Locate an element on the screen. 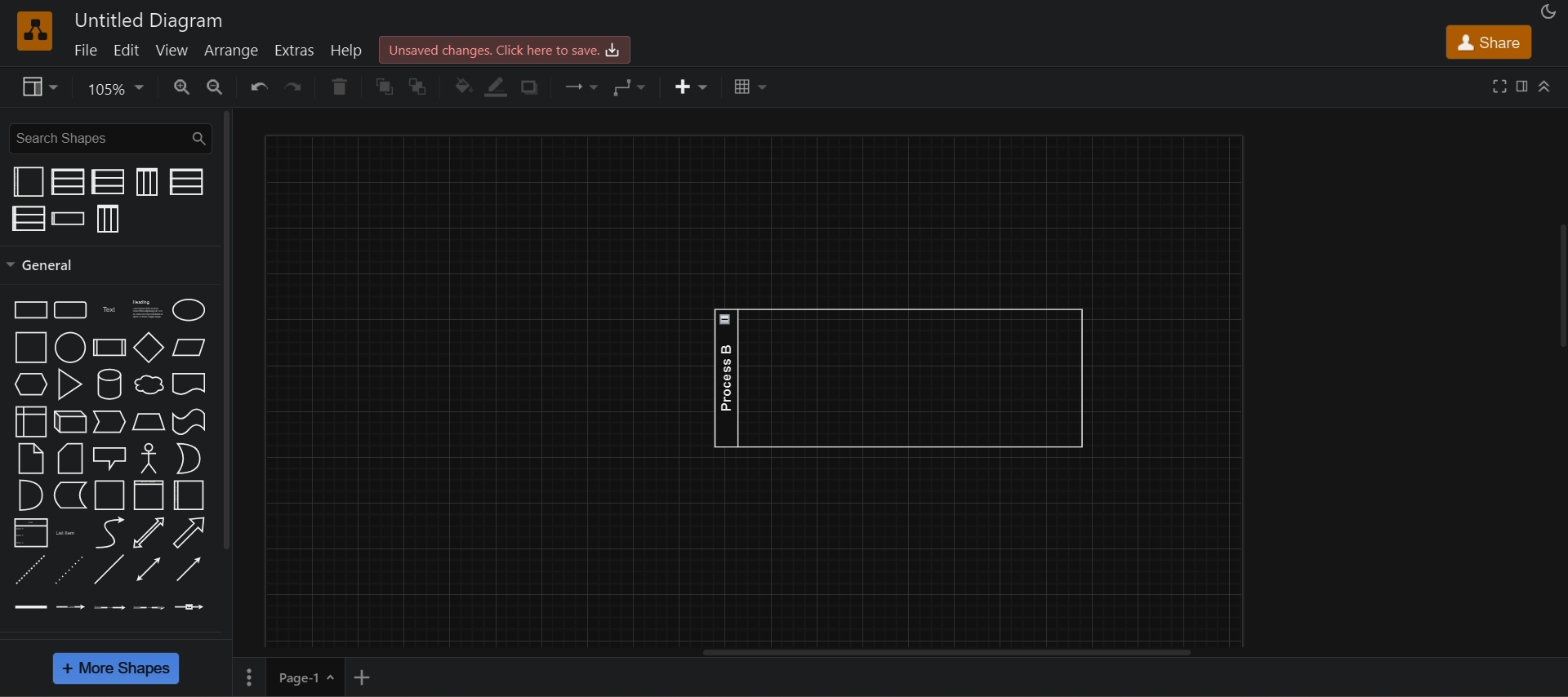  horizontal scroll bar is located at coordinates (943, 654).